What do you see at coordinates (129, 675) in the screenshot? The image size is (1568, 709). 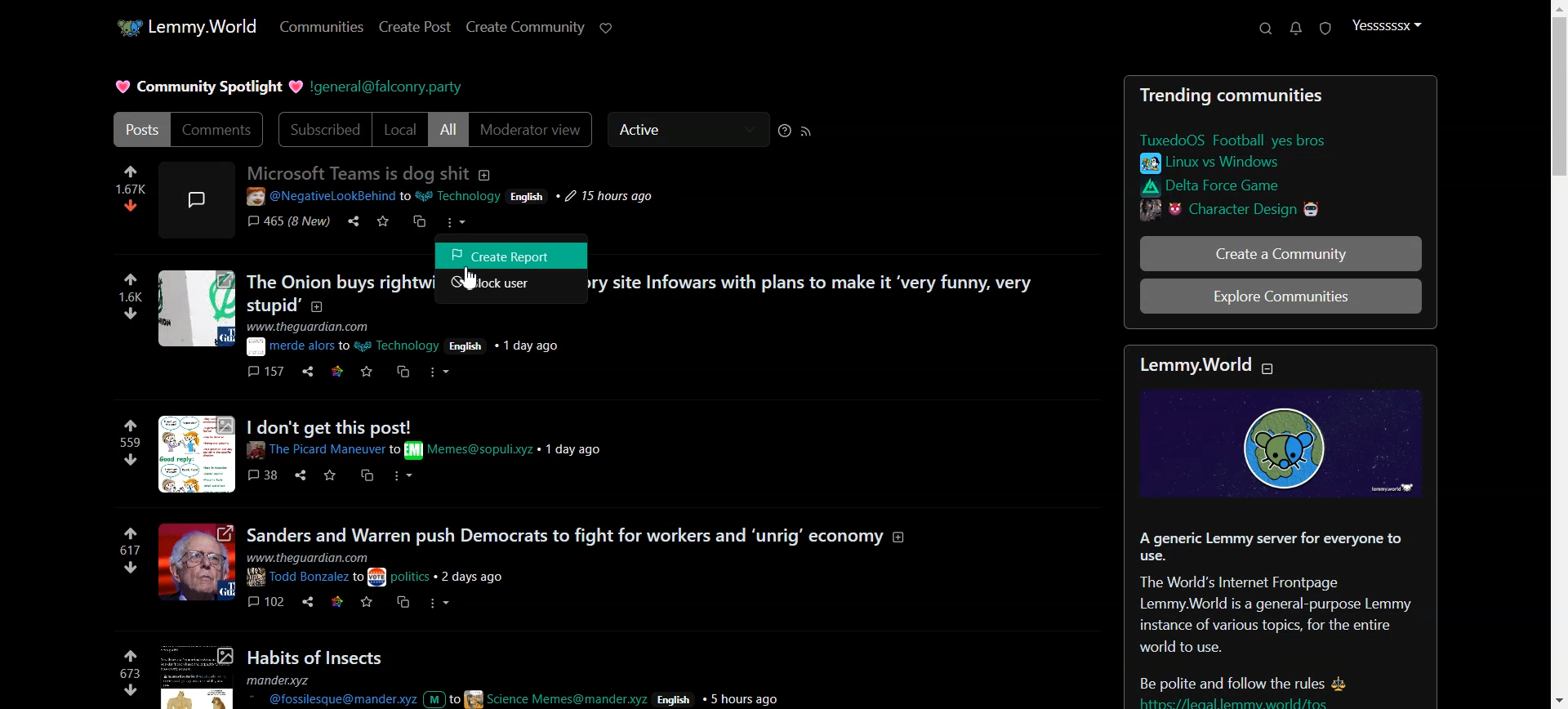 I see `numbers` at bounding box center [129, 675].